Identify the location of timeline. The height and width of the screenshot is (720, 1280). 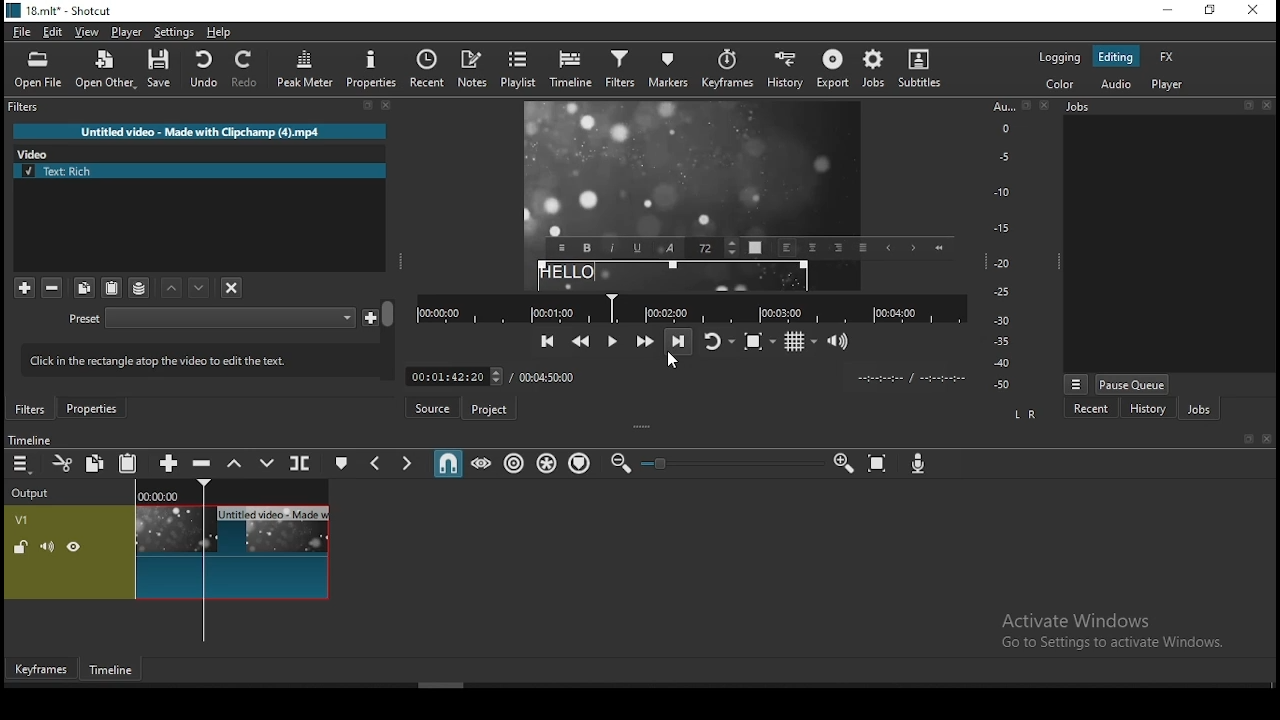
(113, 671).